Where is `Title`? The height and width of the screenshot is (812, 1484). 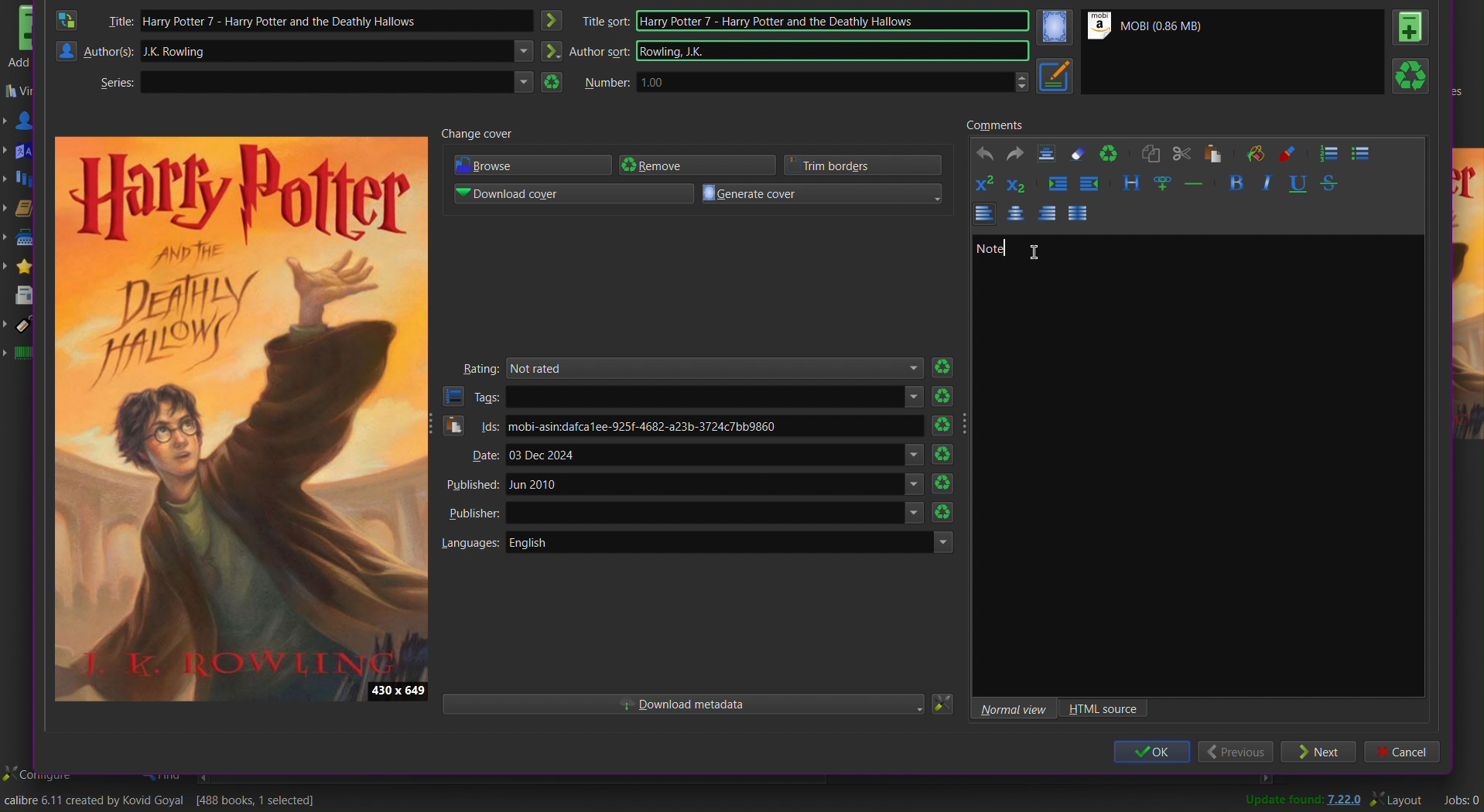
Title is located at coordinates (123, 22).